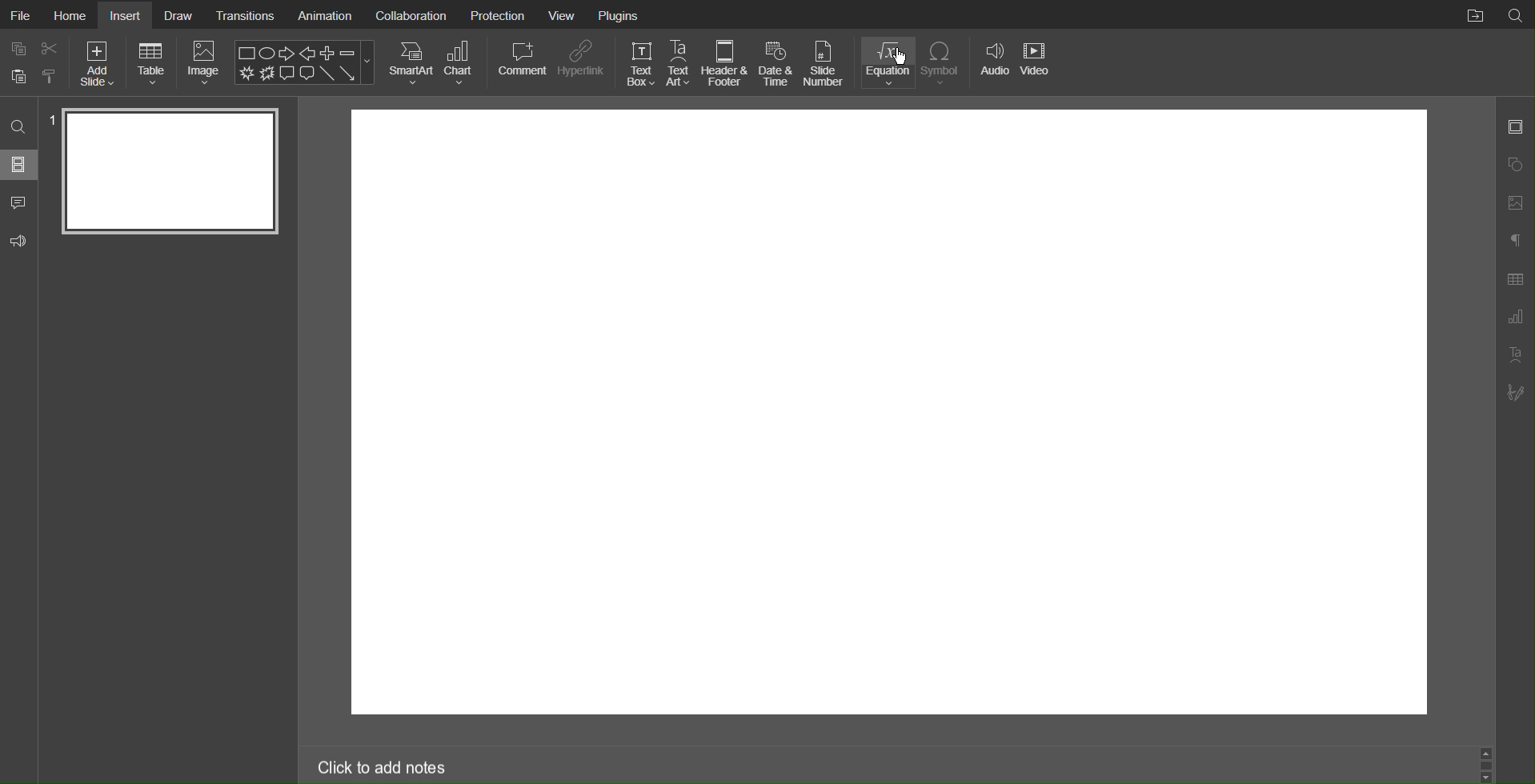 Image resolution: width=1535 pixels, height=784 pixels. Describe the element at coordinates (778, 62) in the screenshot. I see `Date & Time` at that location.